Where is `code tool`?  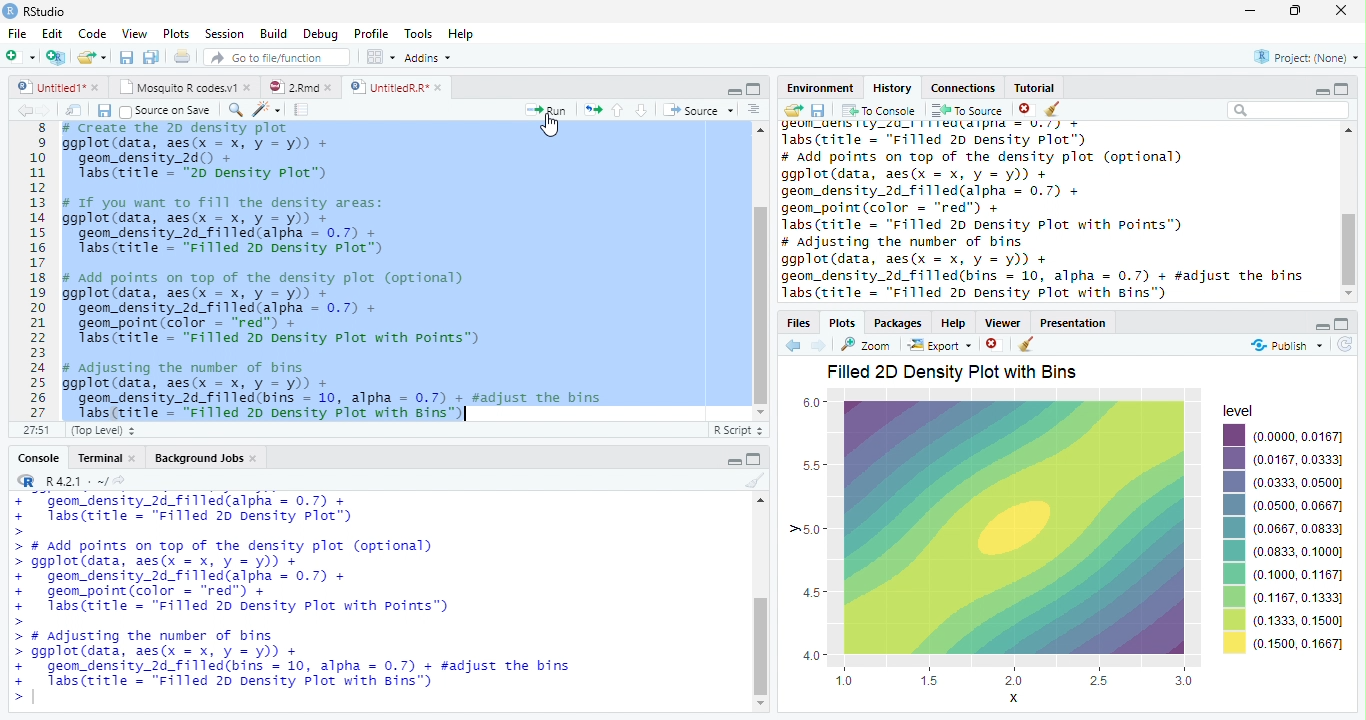 code tool is located at coordinates (266, 110).